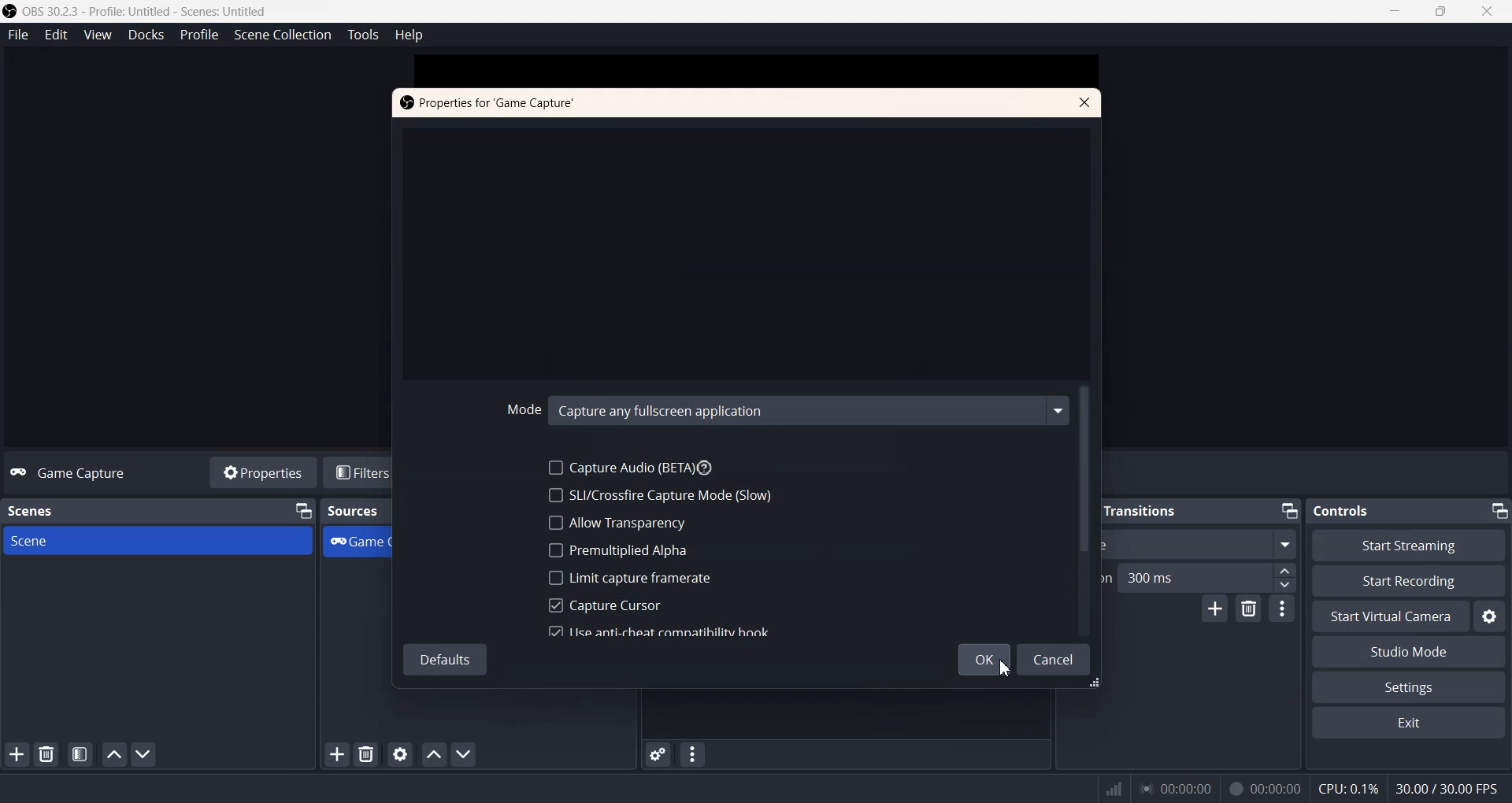 This screenshot has width=1512, height=803. I want to click on Vertical scroll bar, so click(1088, 512).